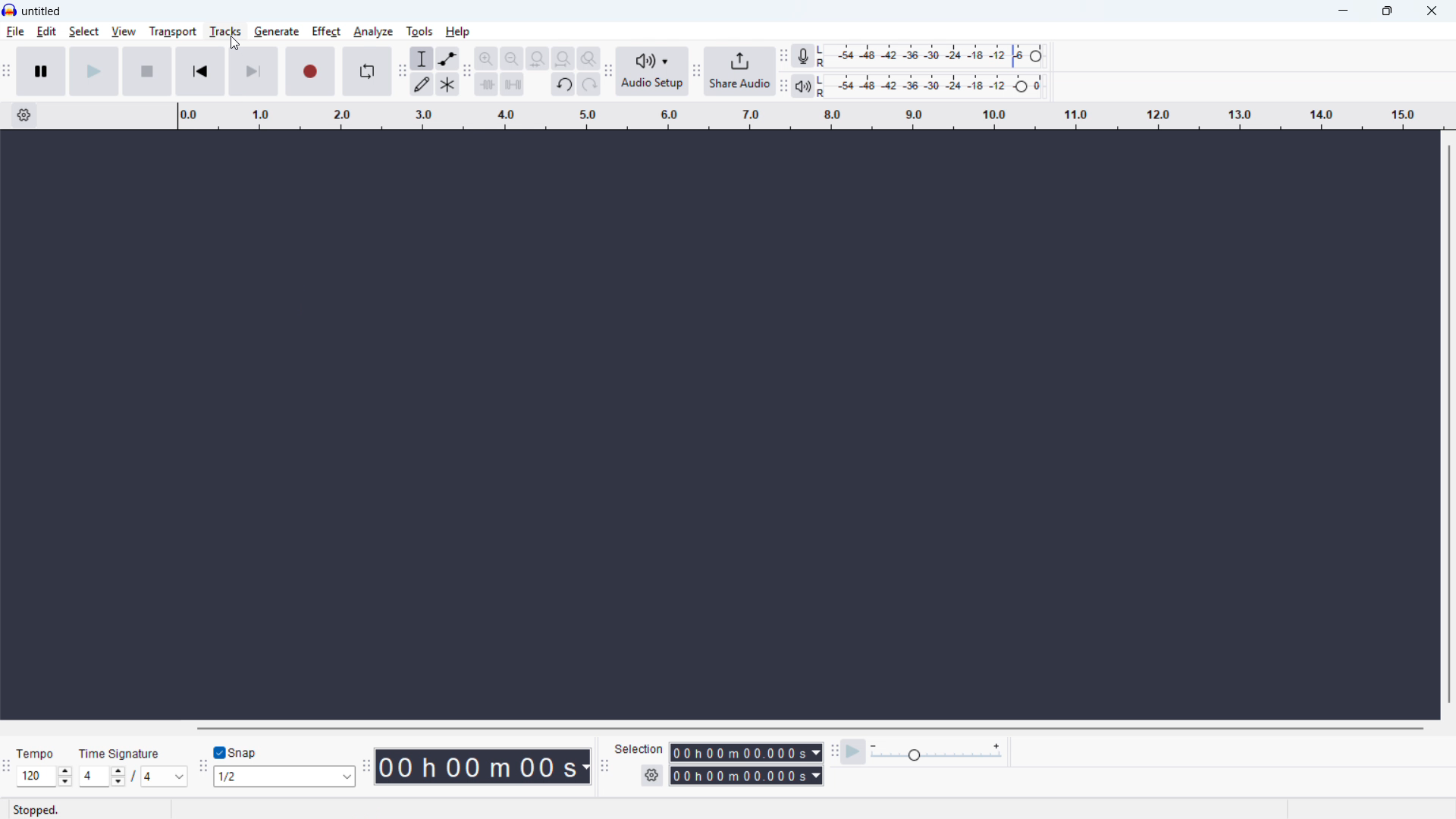 The image size is (1456, 819). Describe the element at coordinates (833, 753) in the screenshot. I see `Play at speed toolbar ` at that location.